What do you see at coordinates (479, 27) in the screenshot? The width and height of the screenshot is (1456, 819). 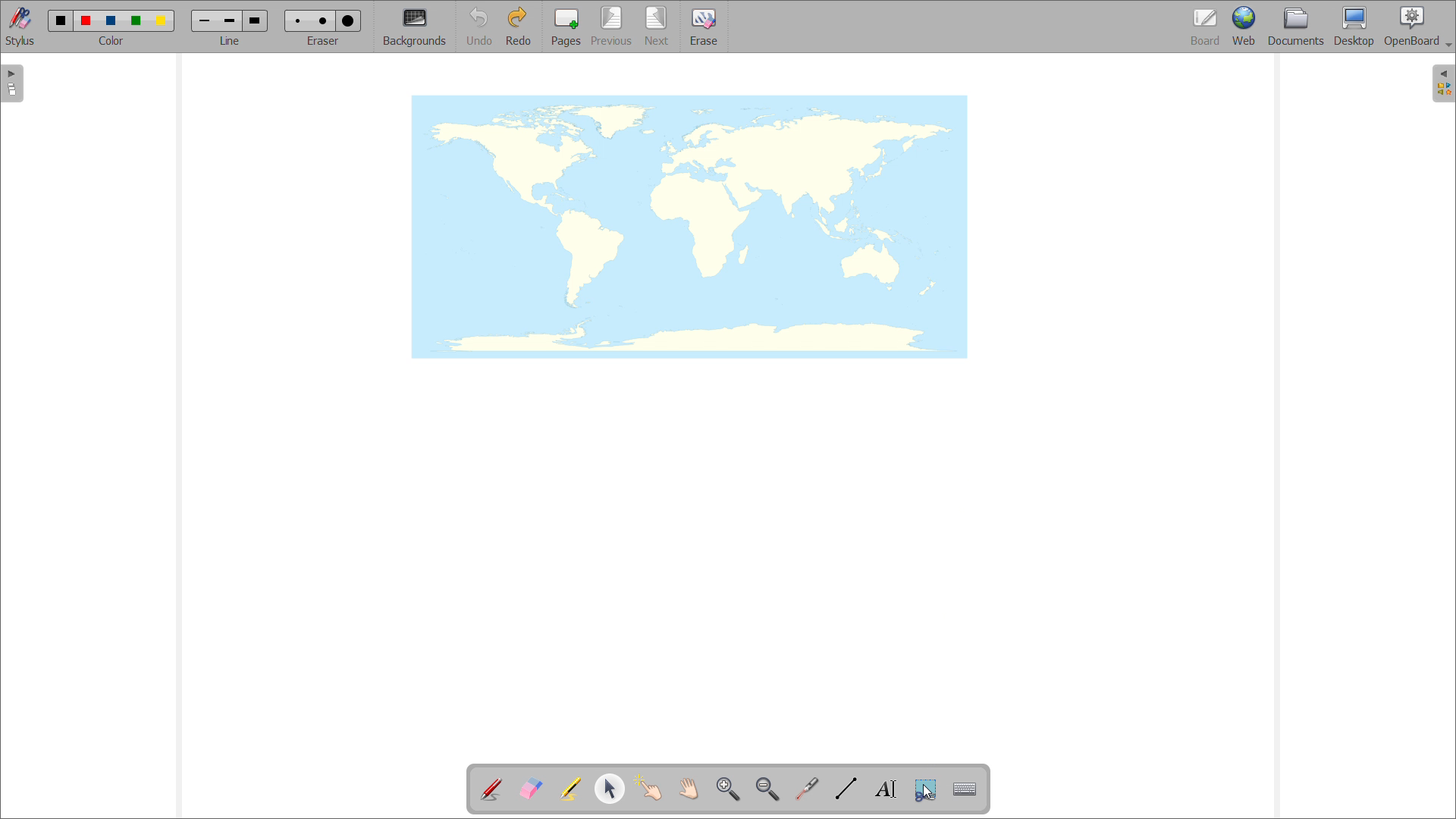 I see `undo` at bounding box center [479, 27].